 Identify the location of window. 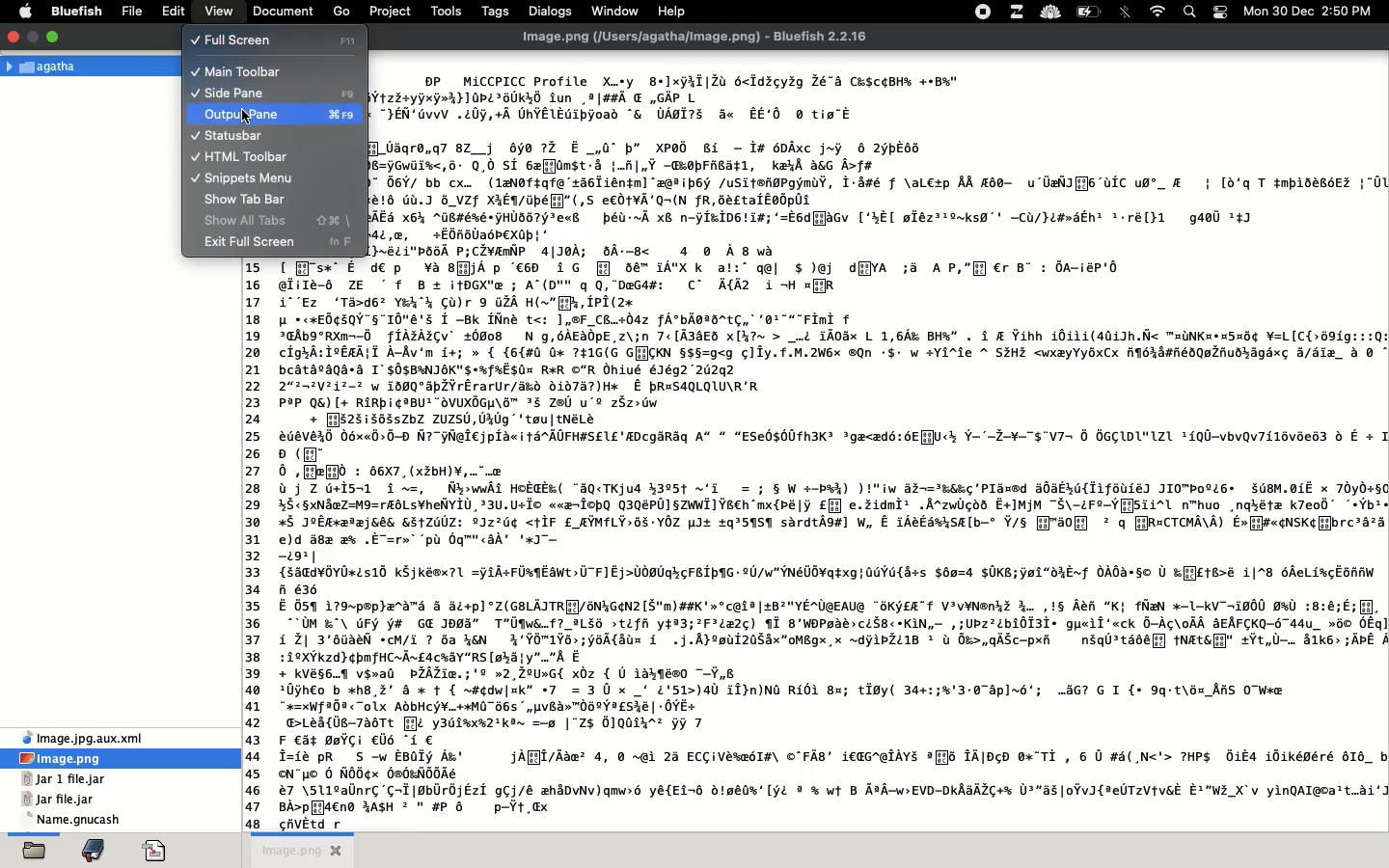
(616, 10).